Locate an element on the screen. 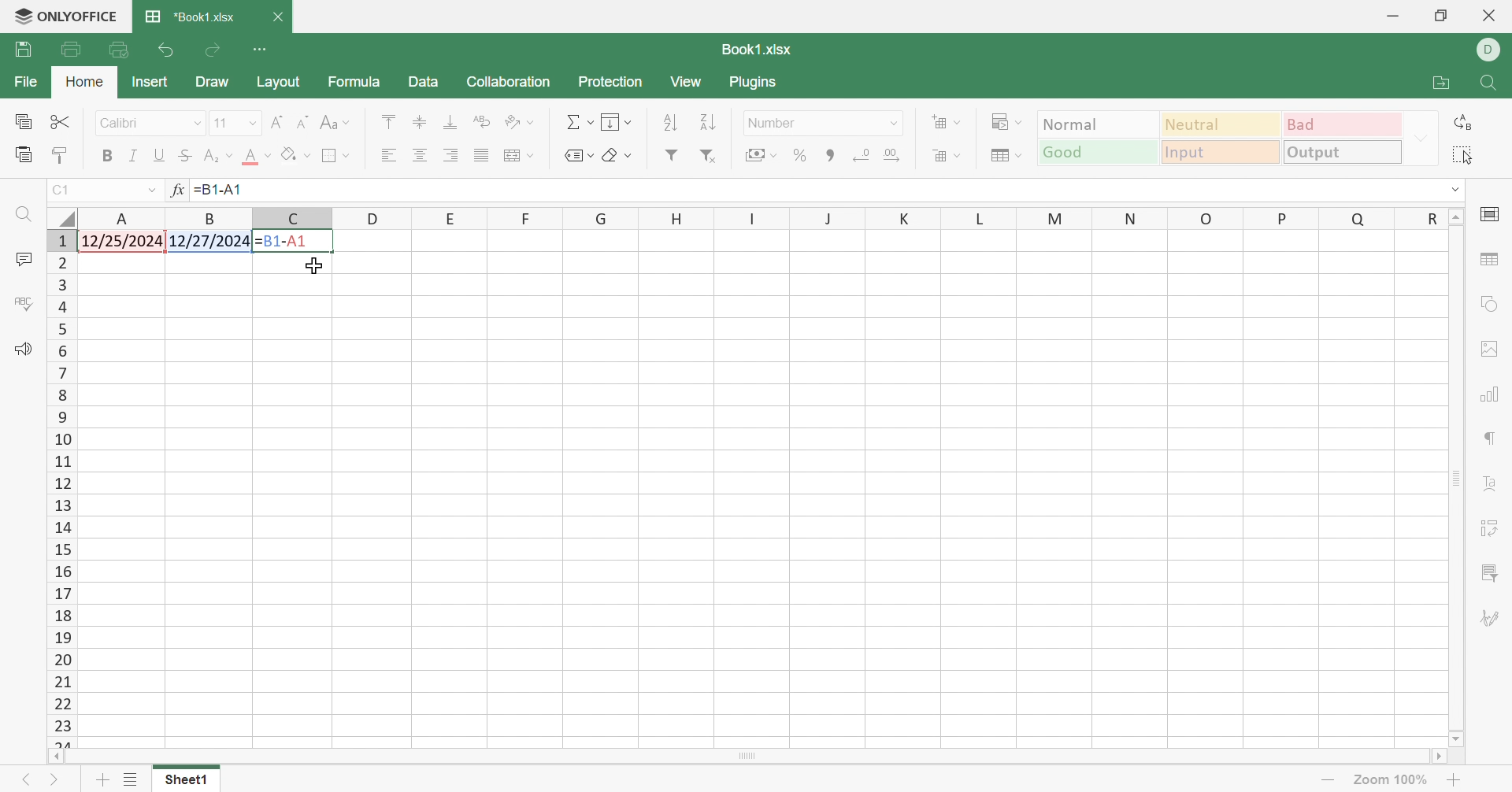 Image resolution: width=1512 pixels, height=792 pixels. Superscript / Subscript is located at coordinates (219, 155).